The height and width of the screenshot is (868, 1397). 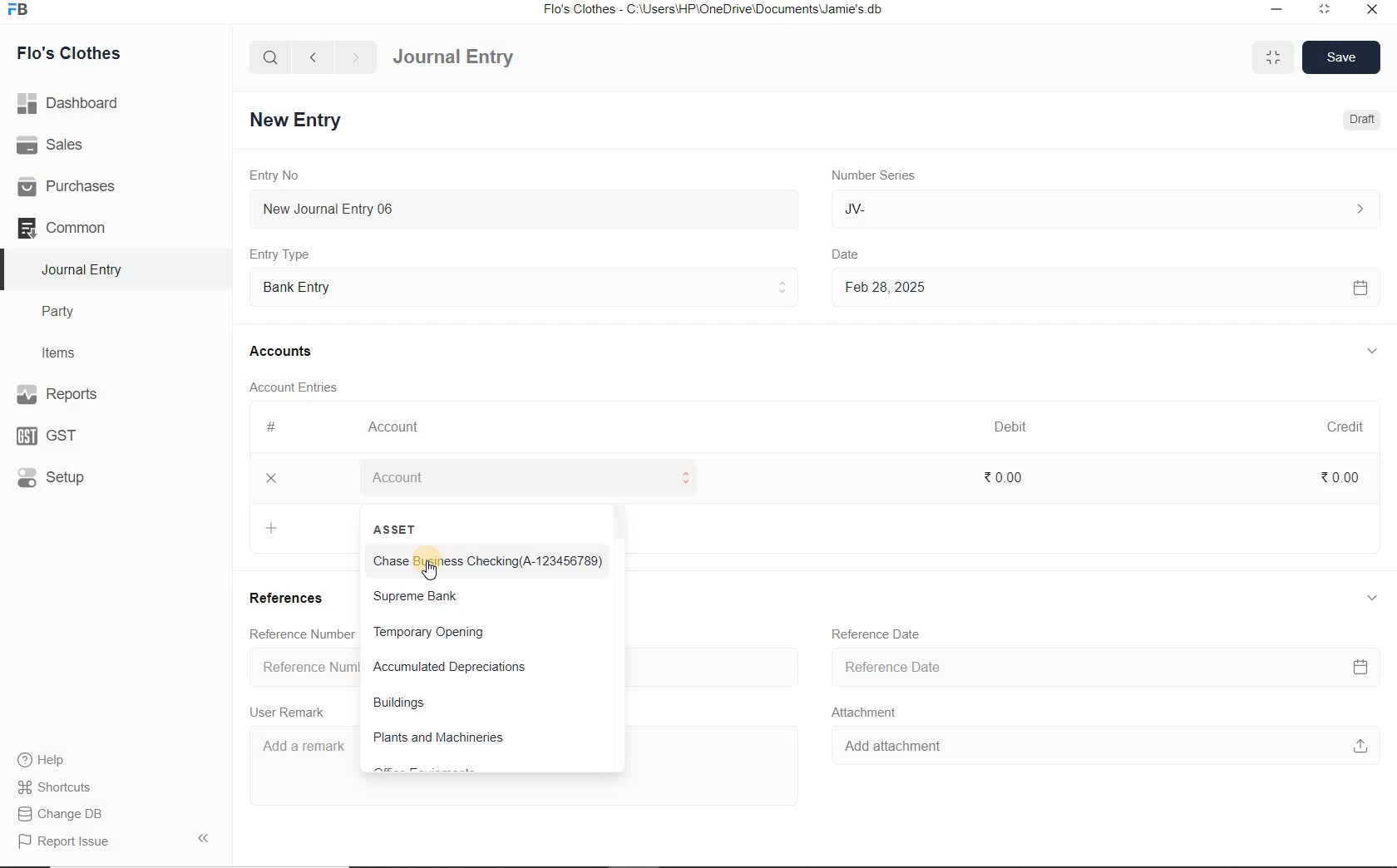 What do you see at coordinates (525, 285) in the screenshot?
I see `Entry Type` at bounding box center [525, 285].